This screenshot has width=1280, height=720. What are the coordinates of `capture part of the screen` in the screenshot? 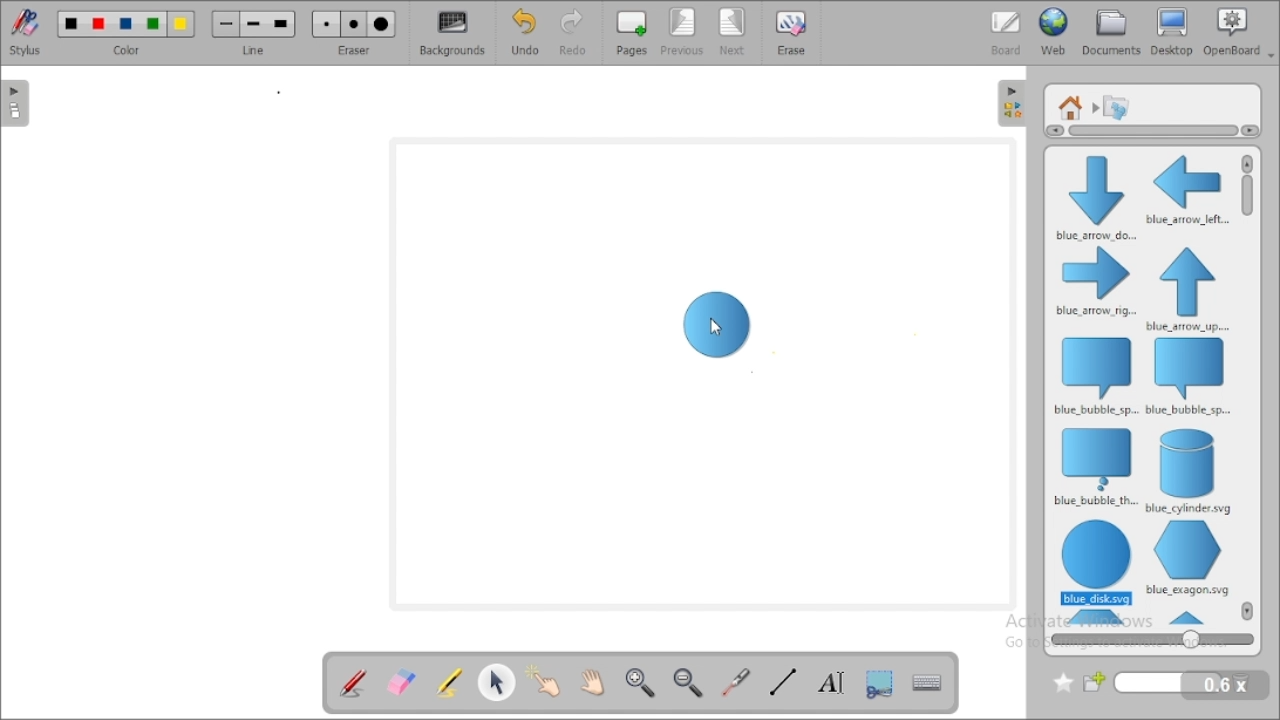 It's located at (880, 682).